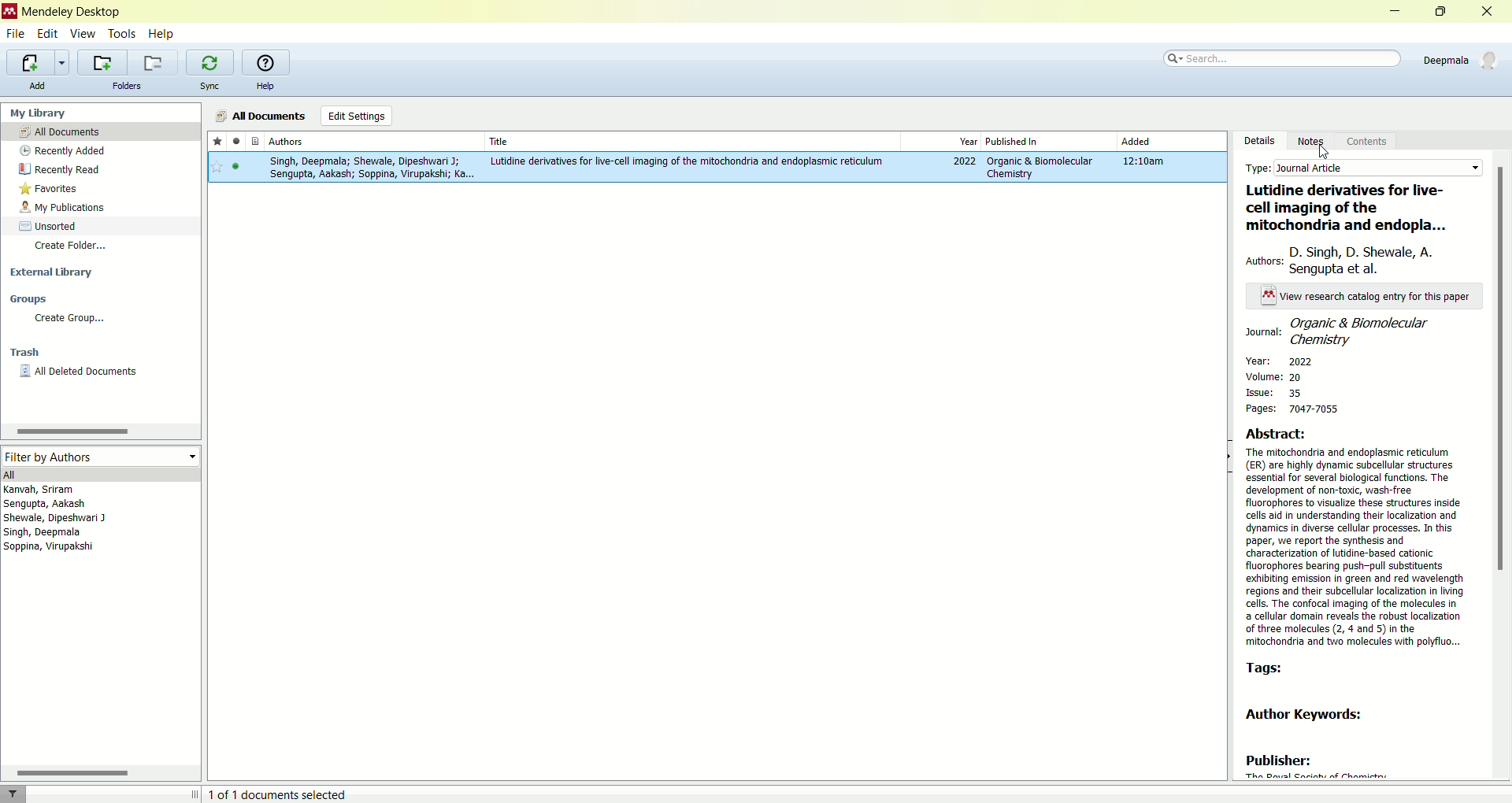 The height and width of the screenshot is (803, 1512). I want to click on Active, so click(238, 169).